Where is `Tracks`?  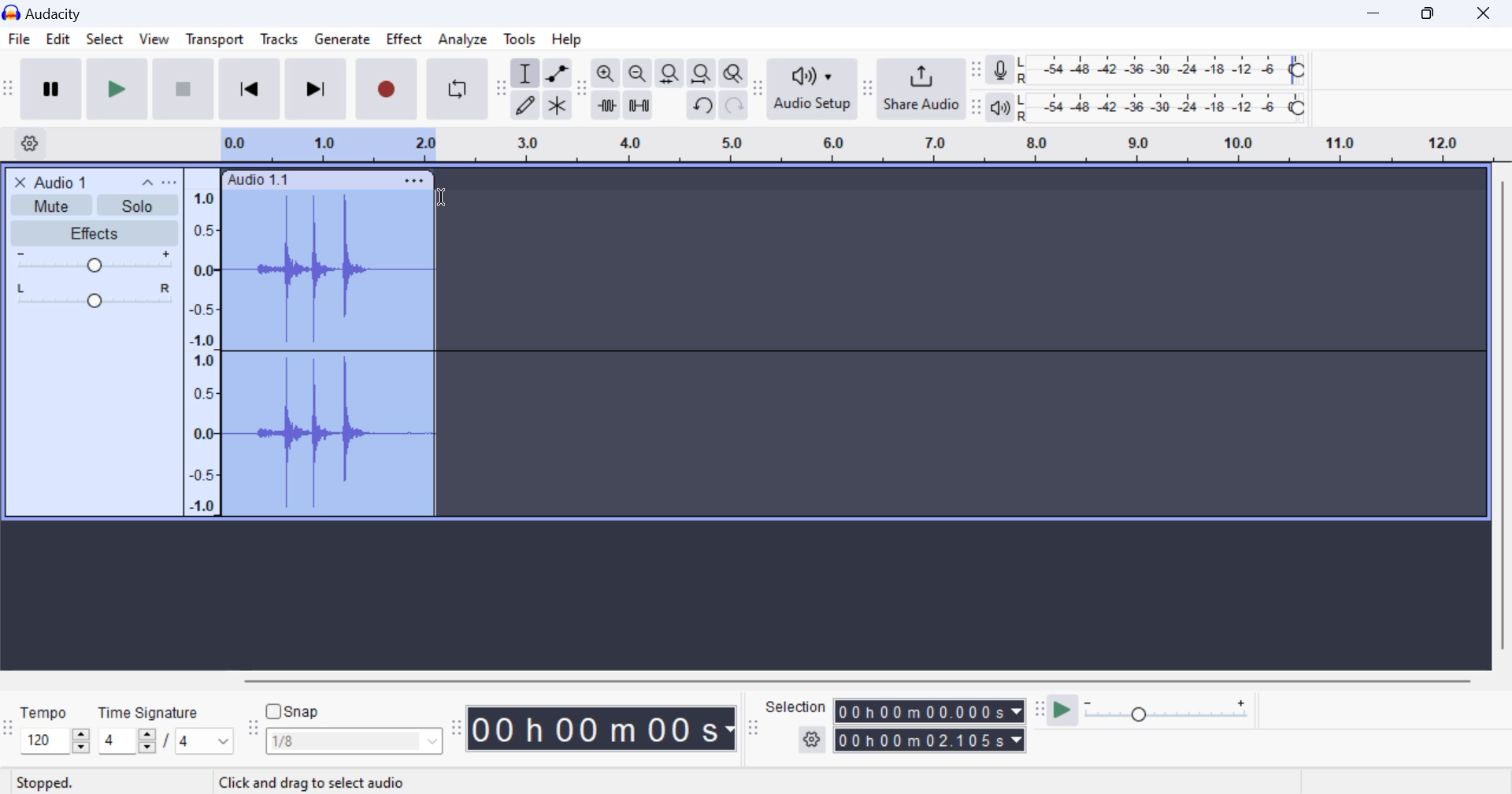 Tracks is located at coordinates (280, 43).